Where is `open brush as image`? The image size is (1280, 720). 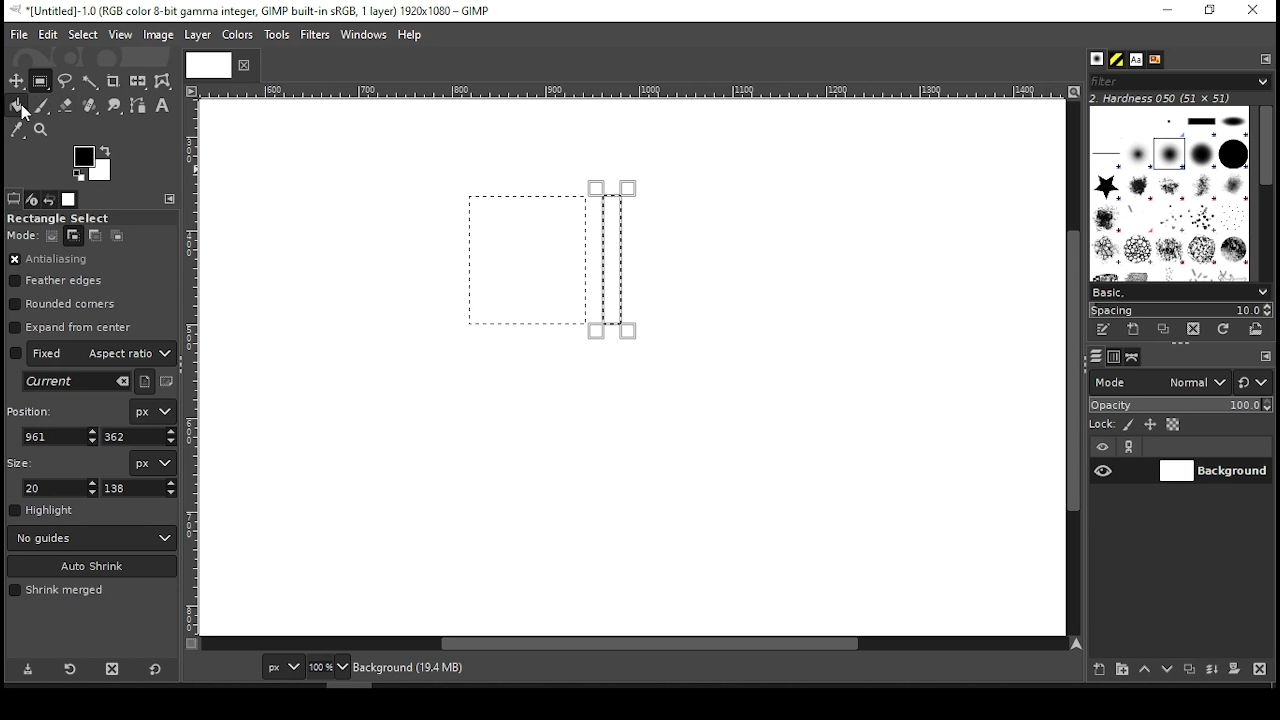
open brush as image is located at coordinates (1257, 329).